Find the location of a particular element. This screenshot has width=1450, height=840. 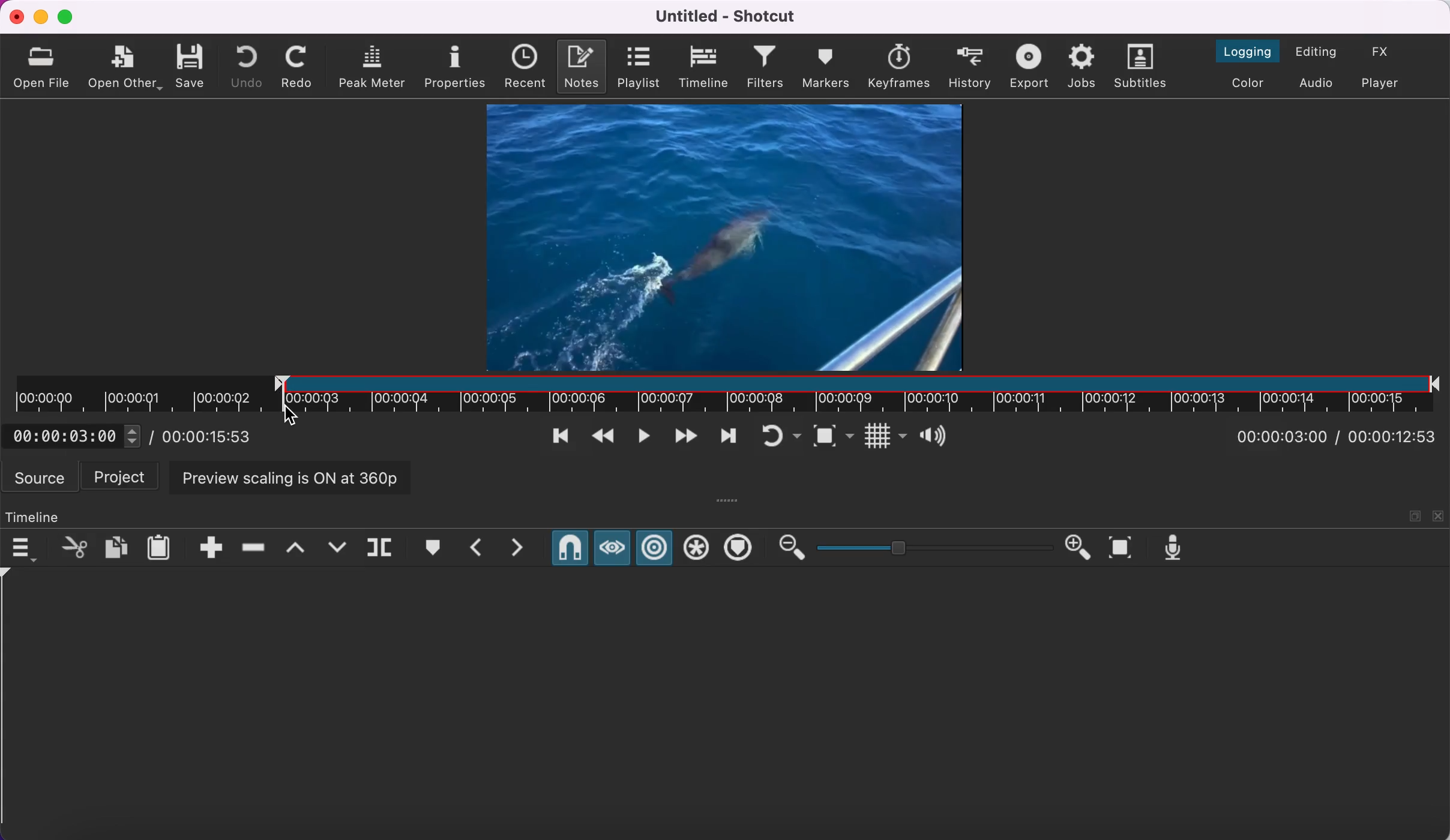

redo is located at coordinates (300, 66).